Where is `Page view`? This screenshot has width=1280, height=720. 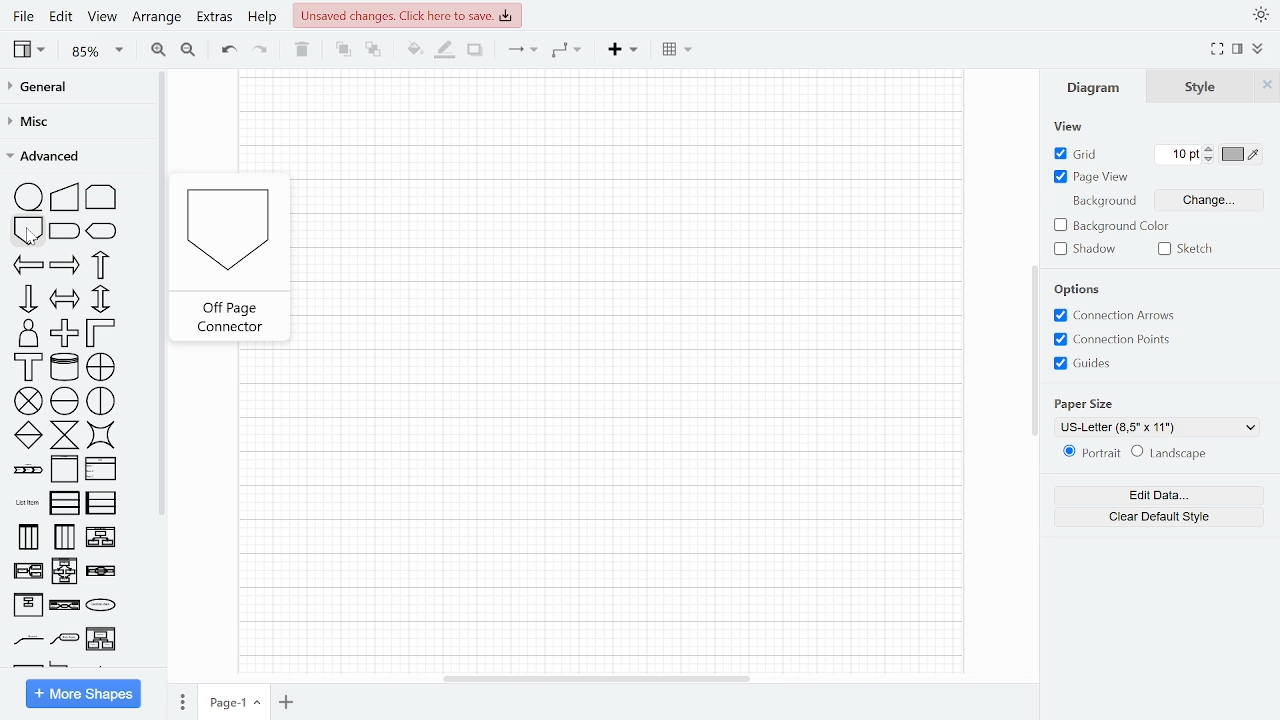 Page view is located at coordinates (1095, 178).